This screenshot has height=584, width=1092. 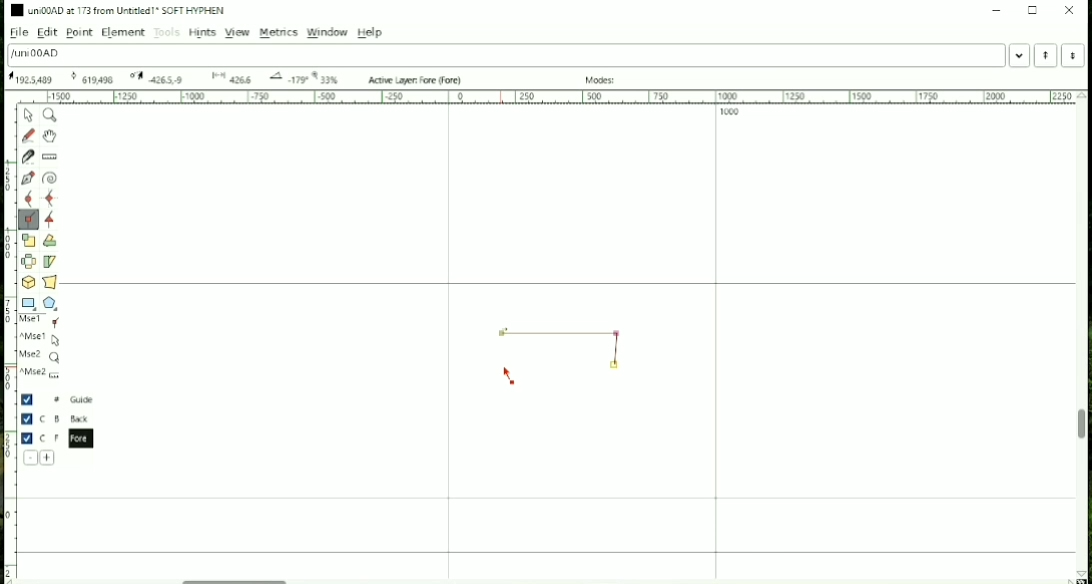 What do you see at coordinates (588, 351) in the screenshot?
I see `Line` at bounding box center [588, 351].